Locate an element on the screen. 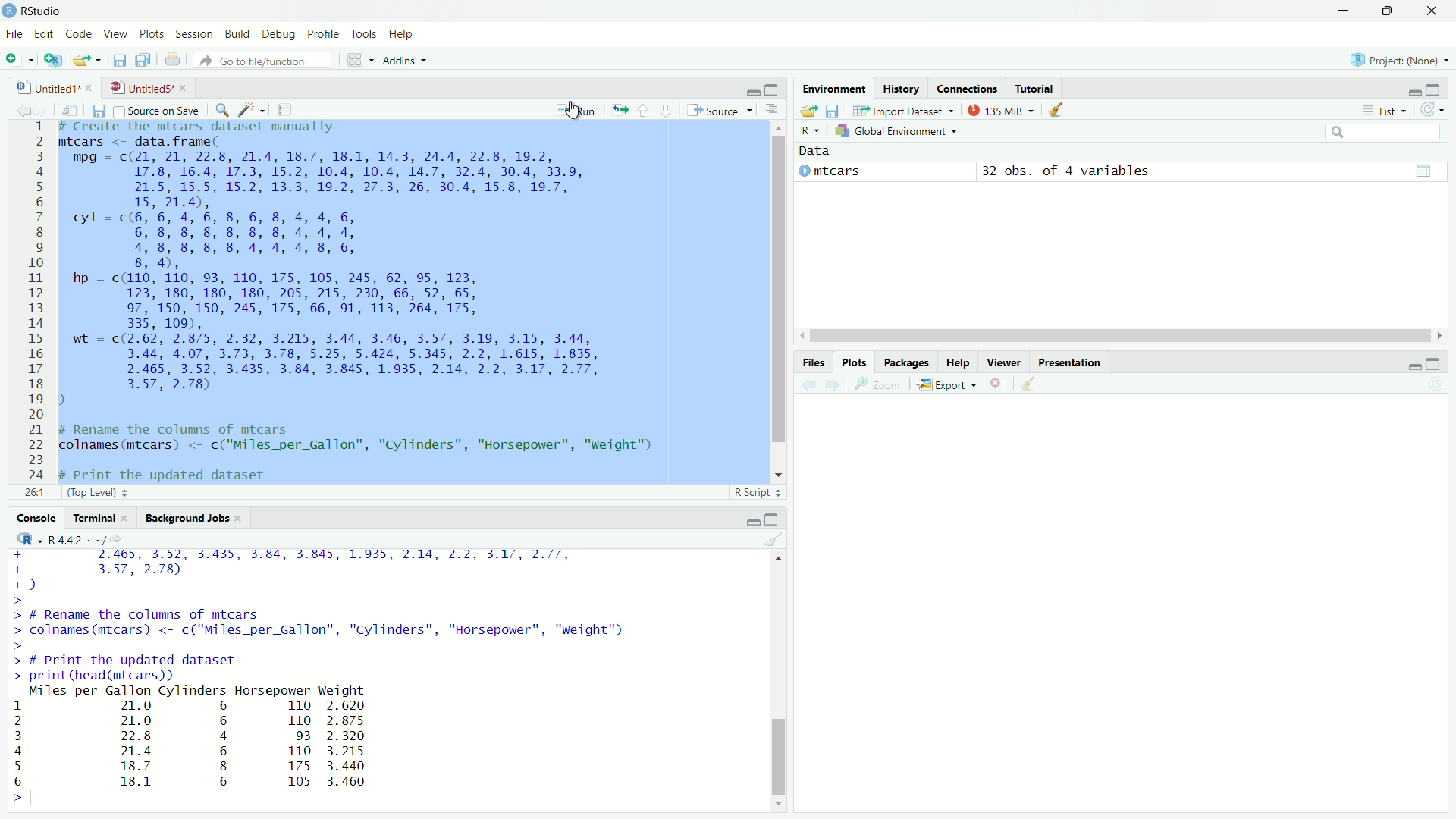 The image size is (1456, 819). data© mtcars 32 obs. of 4 variables is located at coordinates (1012, 168).